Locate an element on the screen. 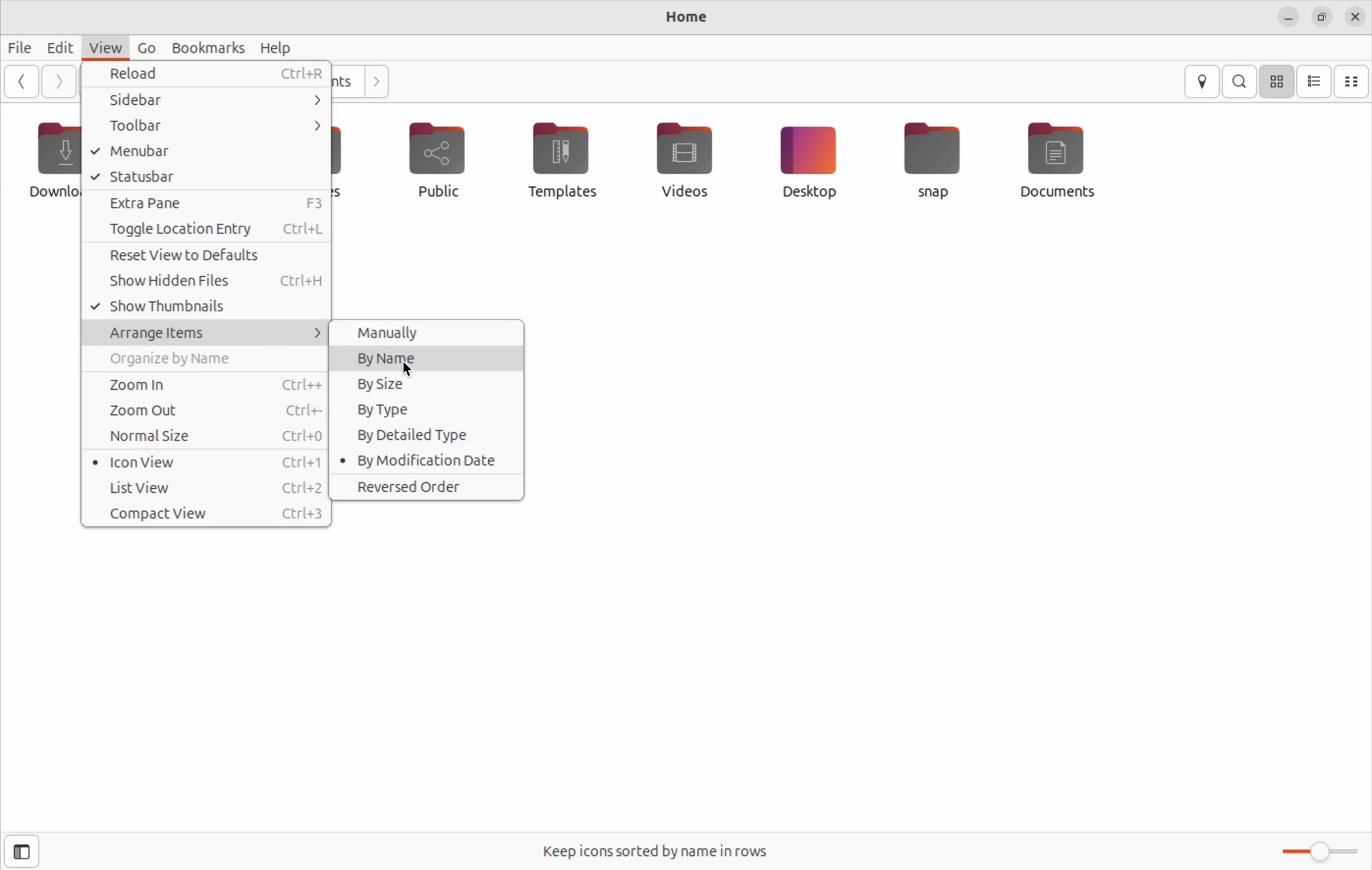 The image size is (1372, 870). show hidden files is located at coordinates (207, 285).